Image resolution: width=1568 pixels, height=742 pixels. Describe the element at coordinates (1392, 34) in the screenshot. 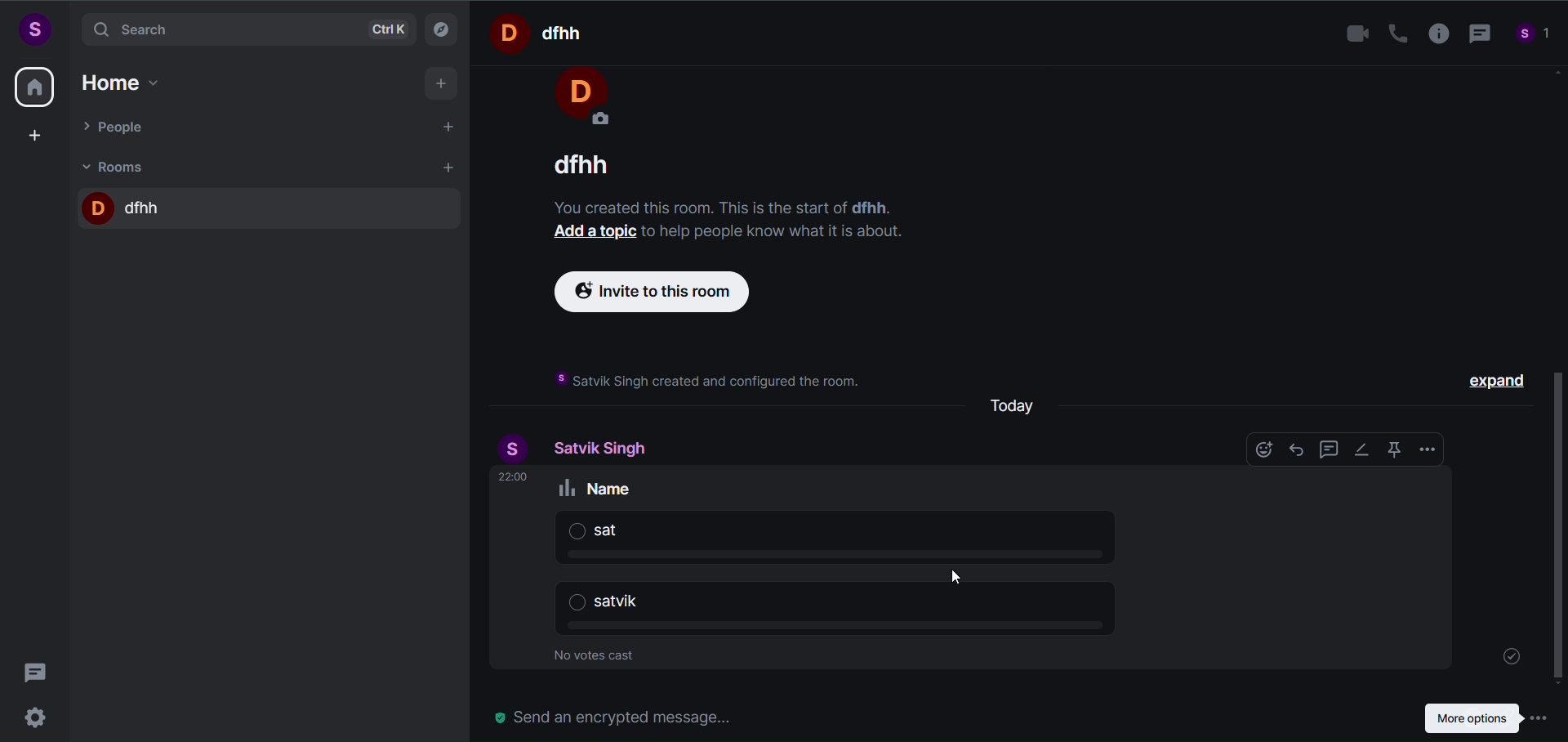

I see `call` at that location.